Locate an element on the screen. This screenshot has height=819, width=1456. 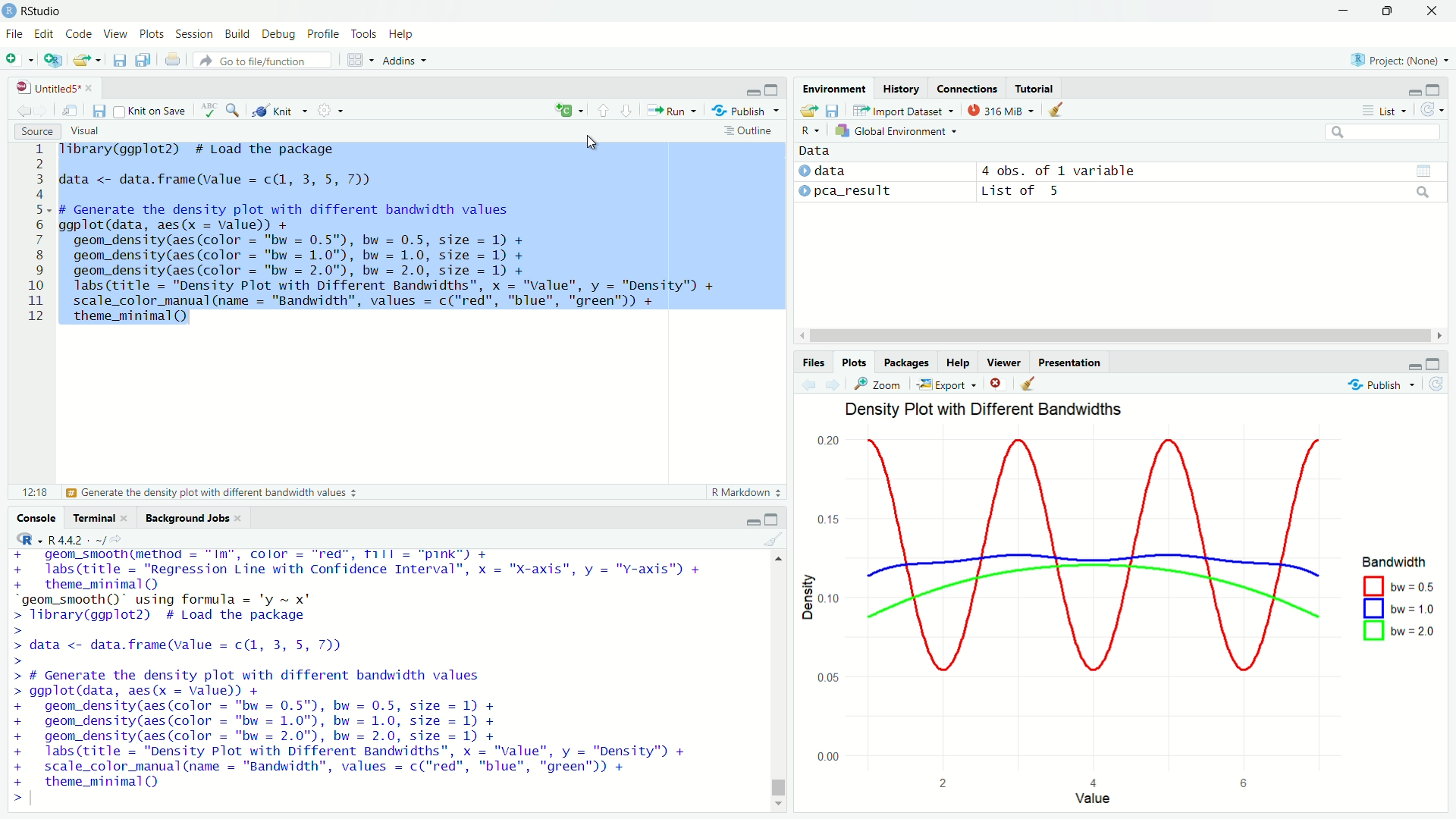
graph is located at coordinates (1079, 610).